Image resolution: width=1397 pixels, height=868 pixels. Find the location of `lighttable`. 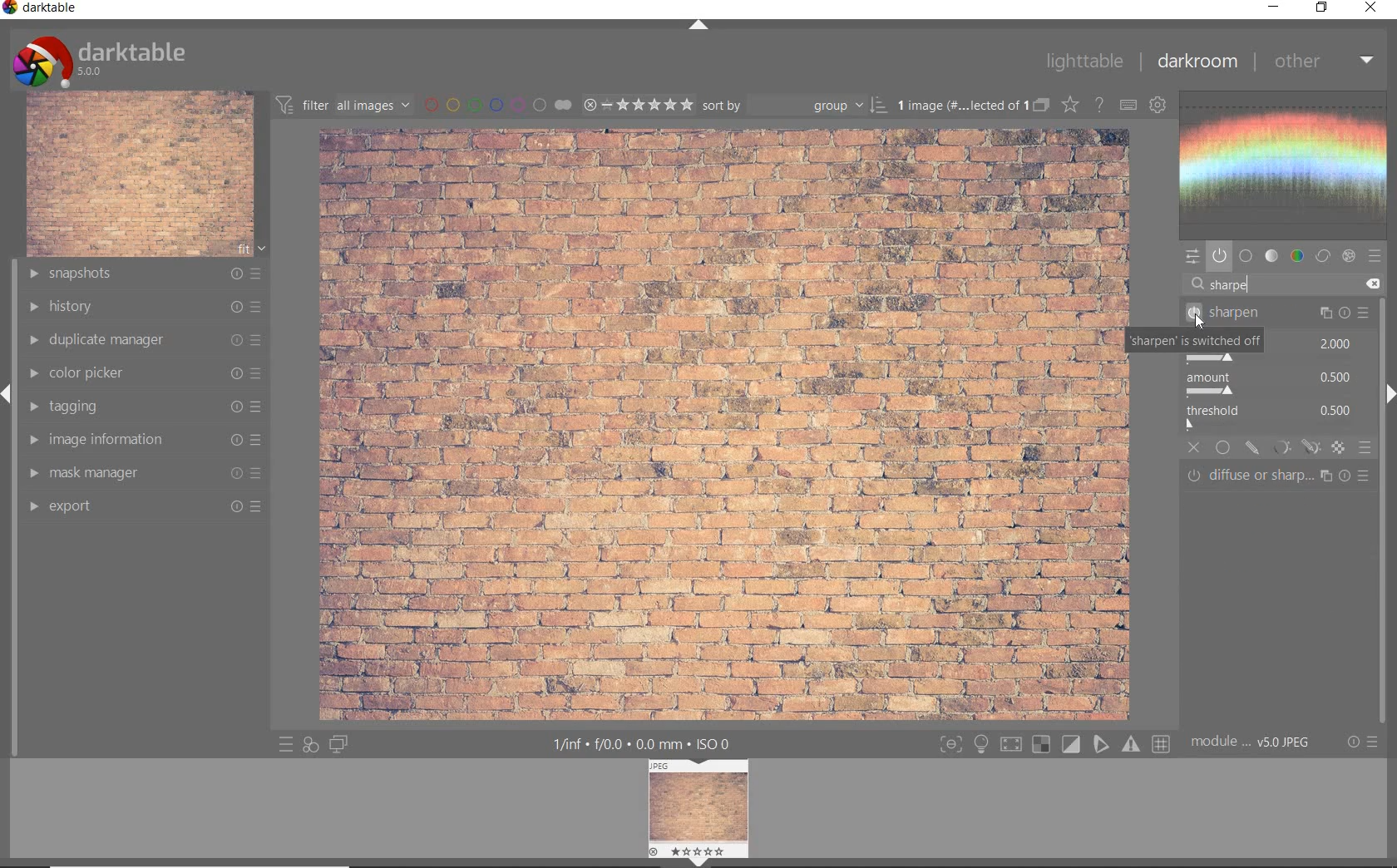

lighttable is located at coordinates (1084, 61).